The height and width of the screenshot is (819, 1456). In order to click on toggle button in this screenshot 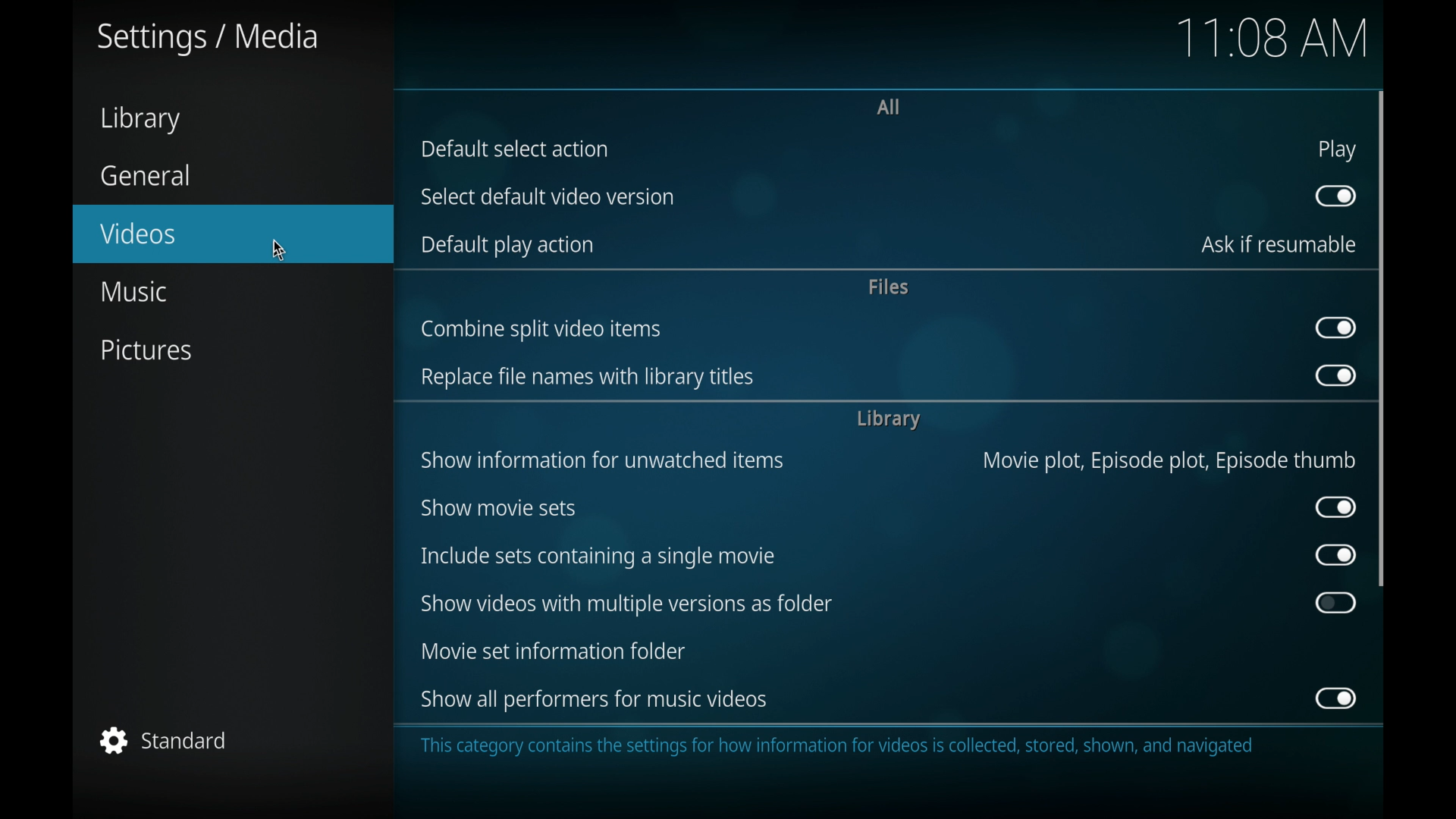, I will do `click(1336, 603)`.